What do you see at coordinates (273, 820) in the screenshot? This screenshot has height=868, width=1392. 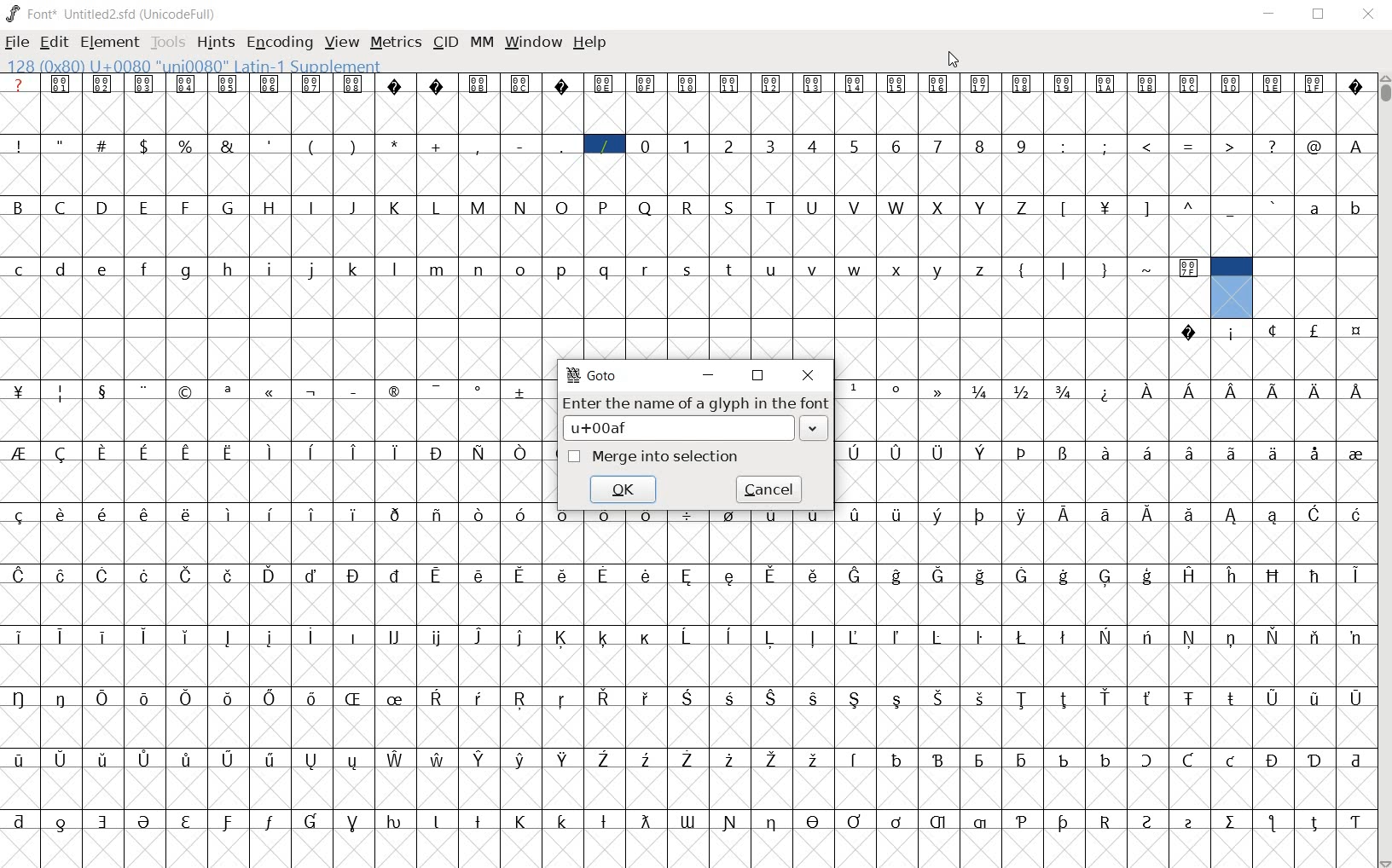 I see `Symbol` at bounding box center [273, 820].